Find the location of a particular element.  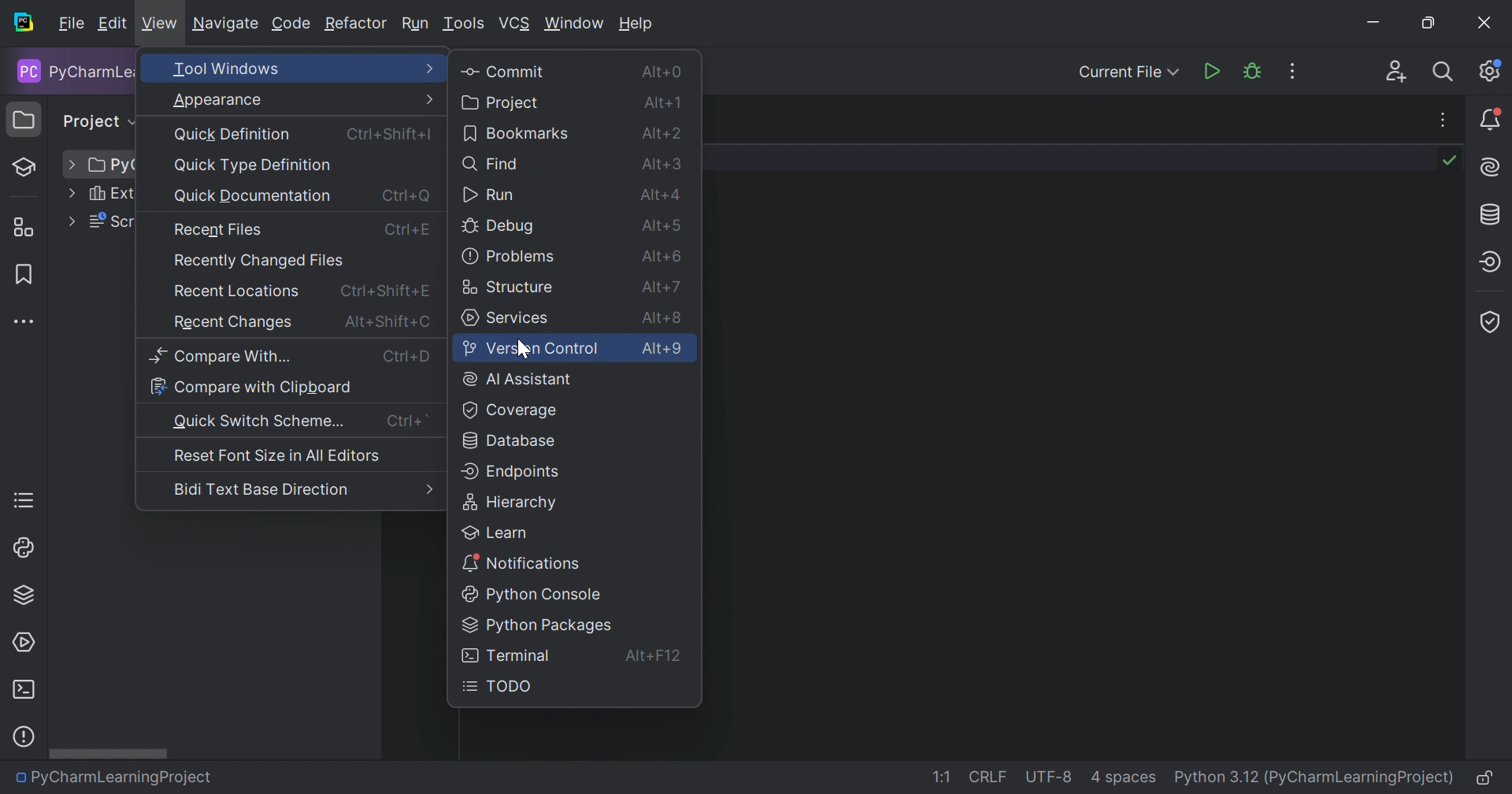

Drop down is located at coordinates (71, 164).